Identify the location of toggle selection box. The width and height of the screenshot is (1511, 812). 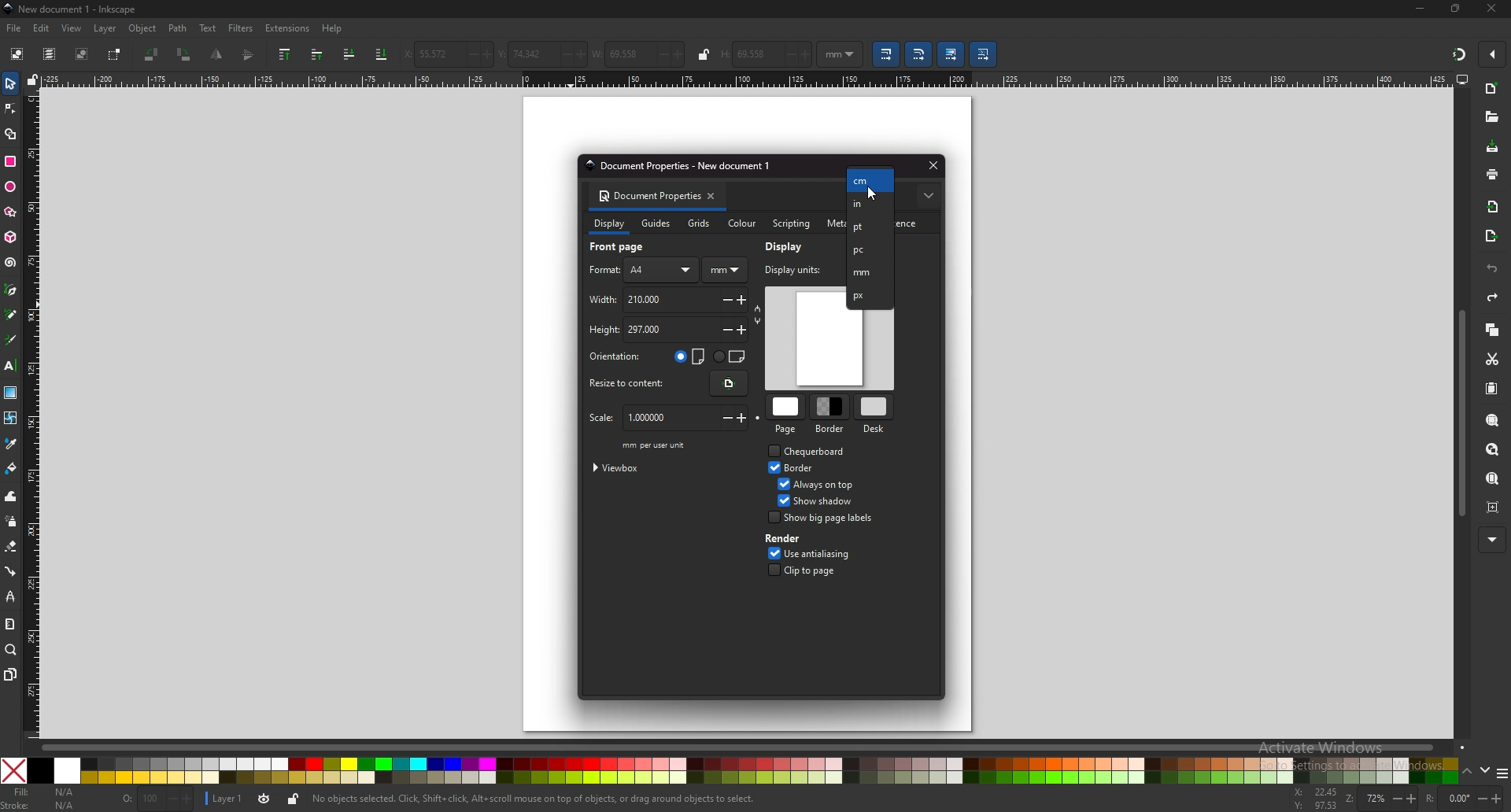
(115, 54).